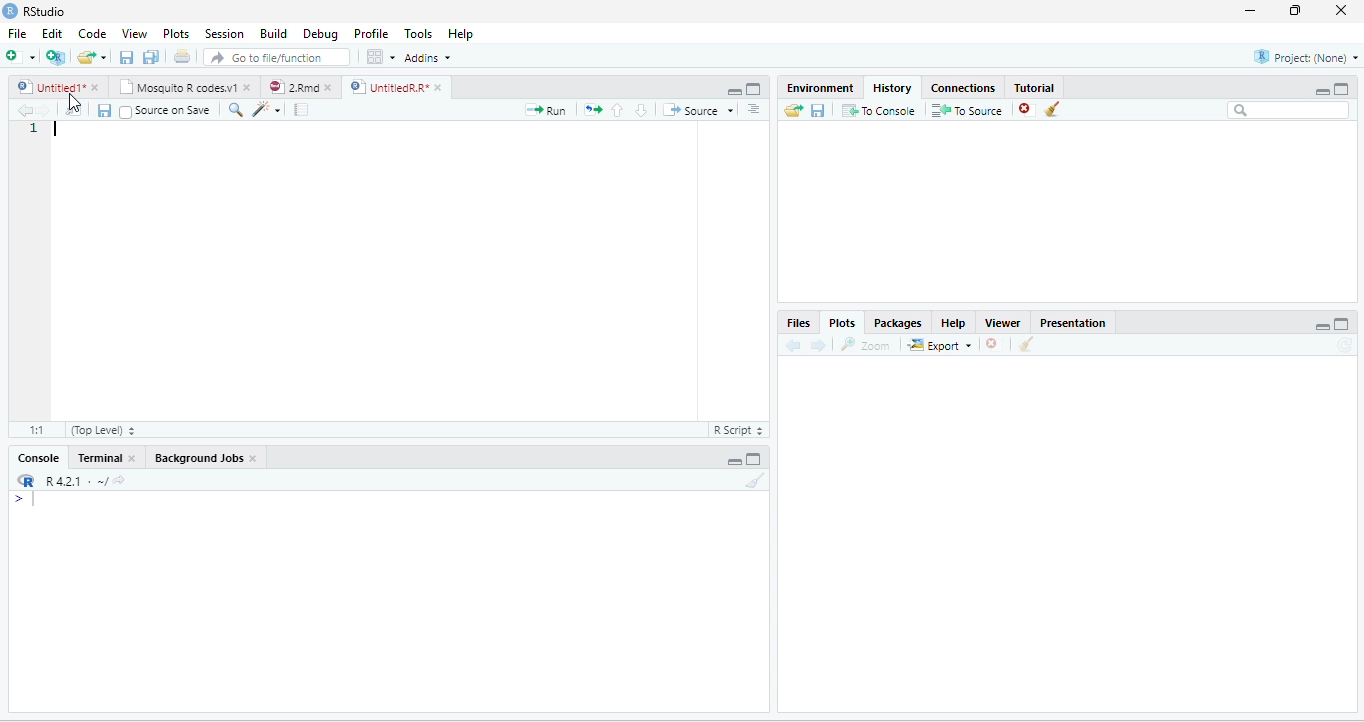  What do you see at coordinates (34, 130) in the screenshot?
I see `Line number` at bounding box center [34, 130].